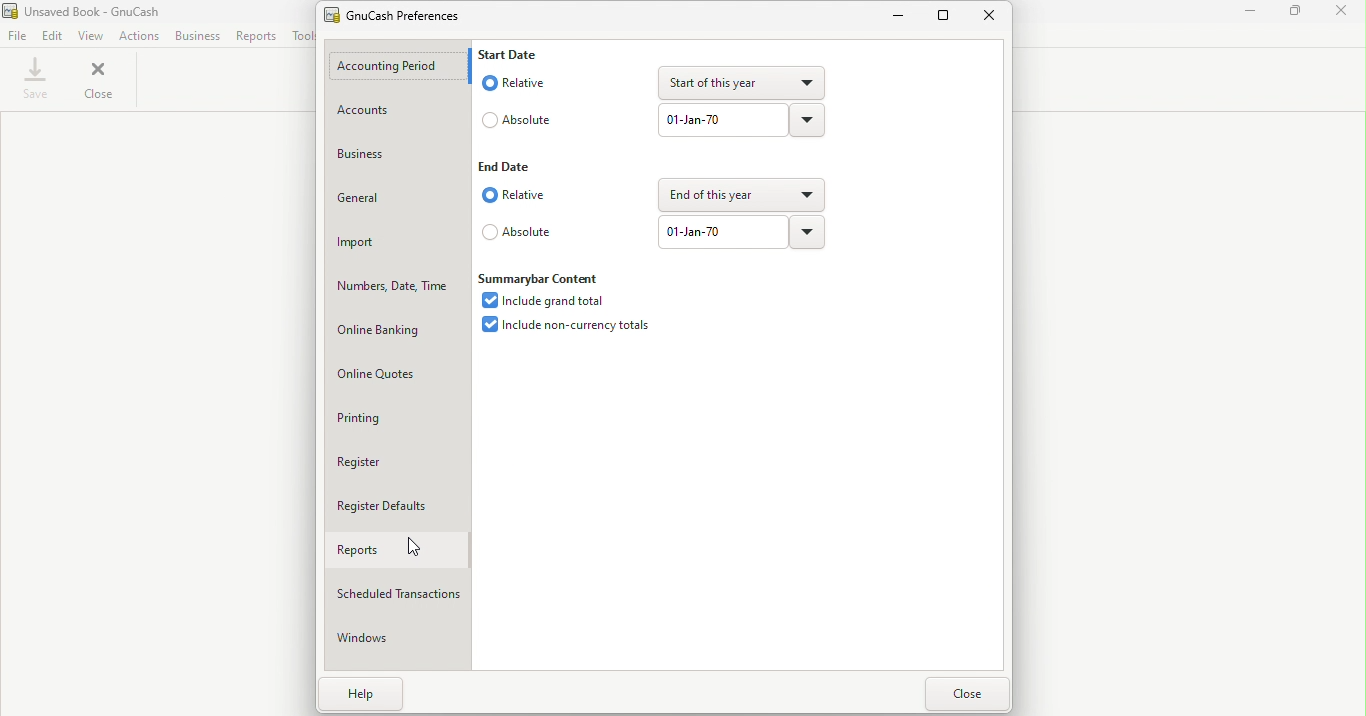 The image size is (1366, 716). I want to click on Include non-currency totals, so click(571, 326).